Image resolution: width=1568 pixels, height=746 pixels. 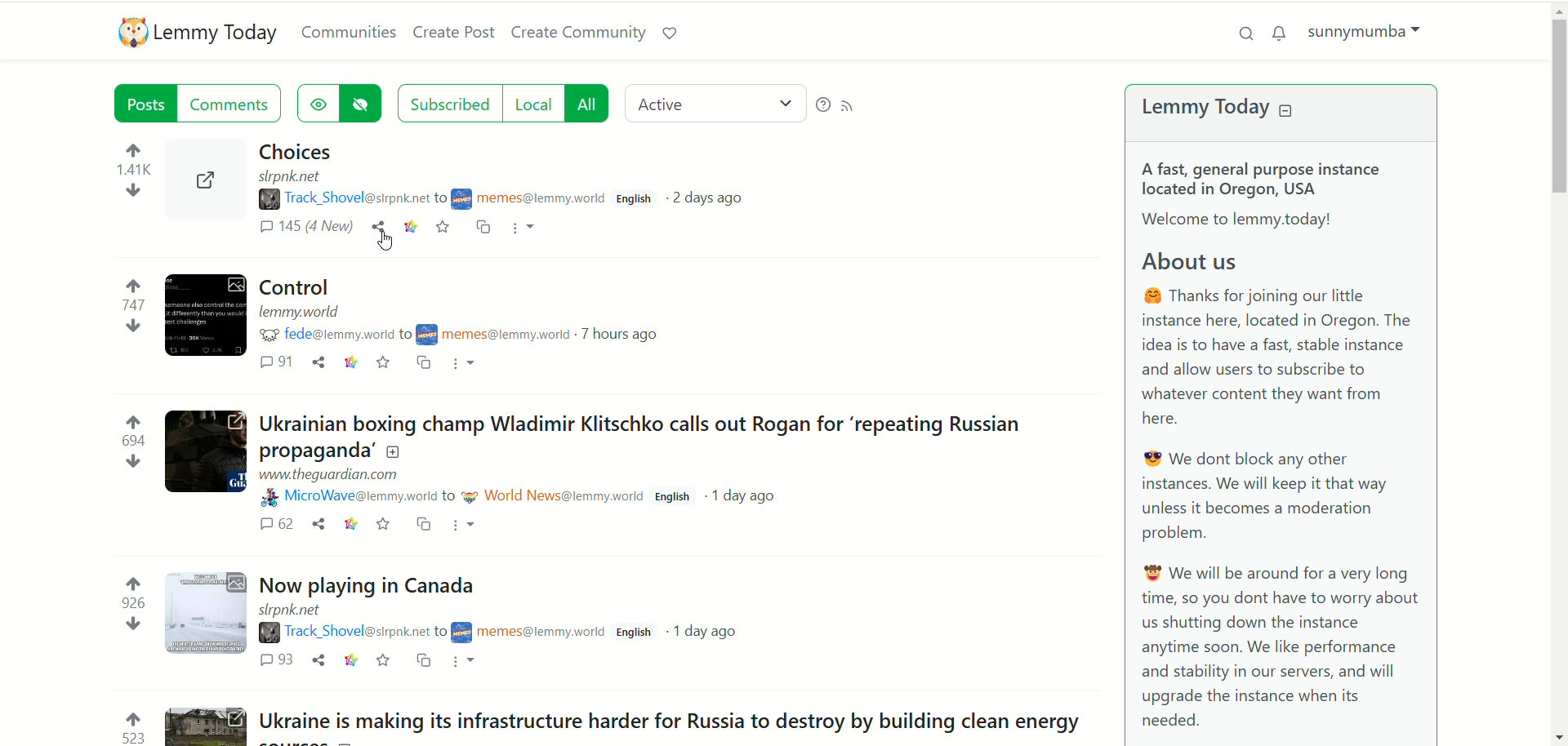 I want to click on share, so click(x=318, y=362).